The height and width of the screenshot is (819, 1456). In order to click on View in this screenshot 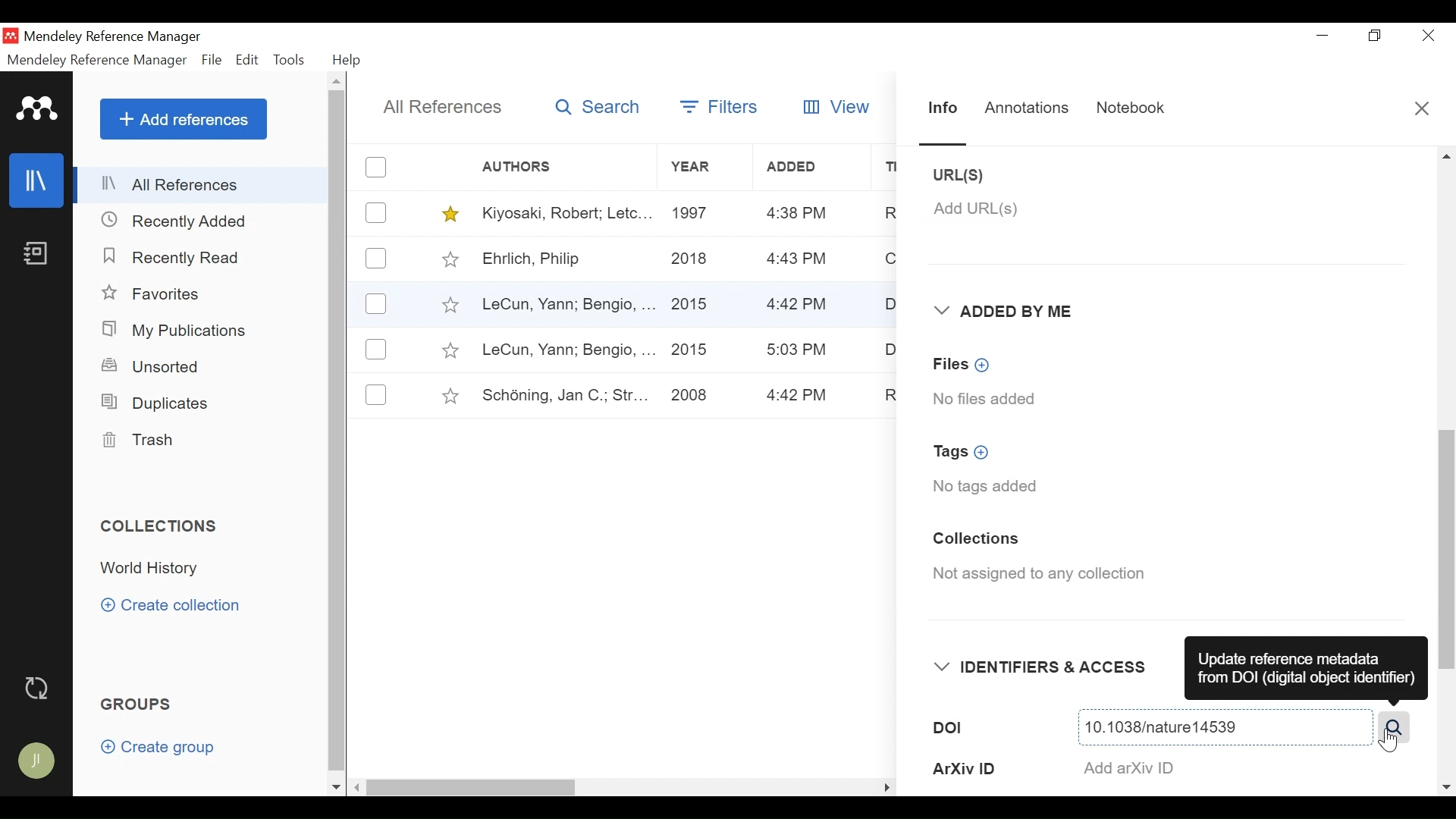, I will do `click(831, 103)`.